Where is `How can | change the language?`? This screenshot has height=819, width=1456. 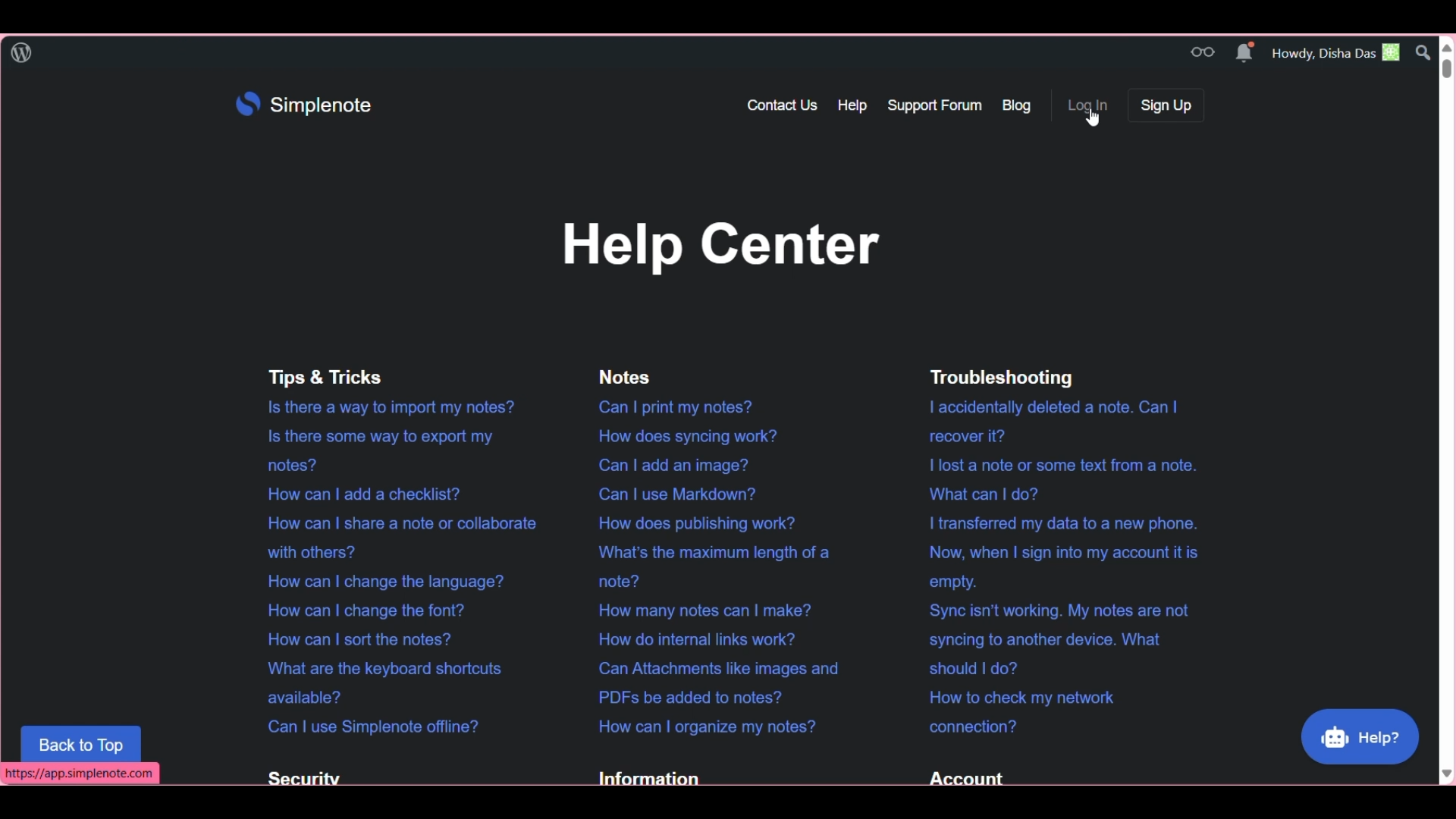 How can | change the language? is located at coordinates (381, 582).